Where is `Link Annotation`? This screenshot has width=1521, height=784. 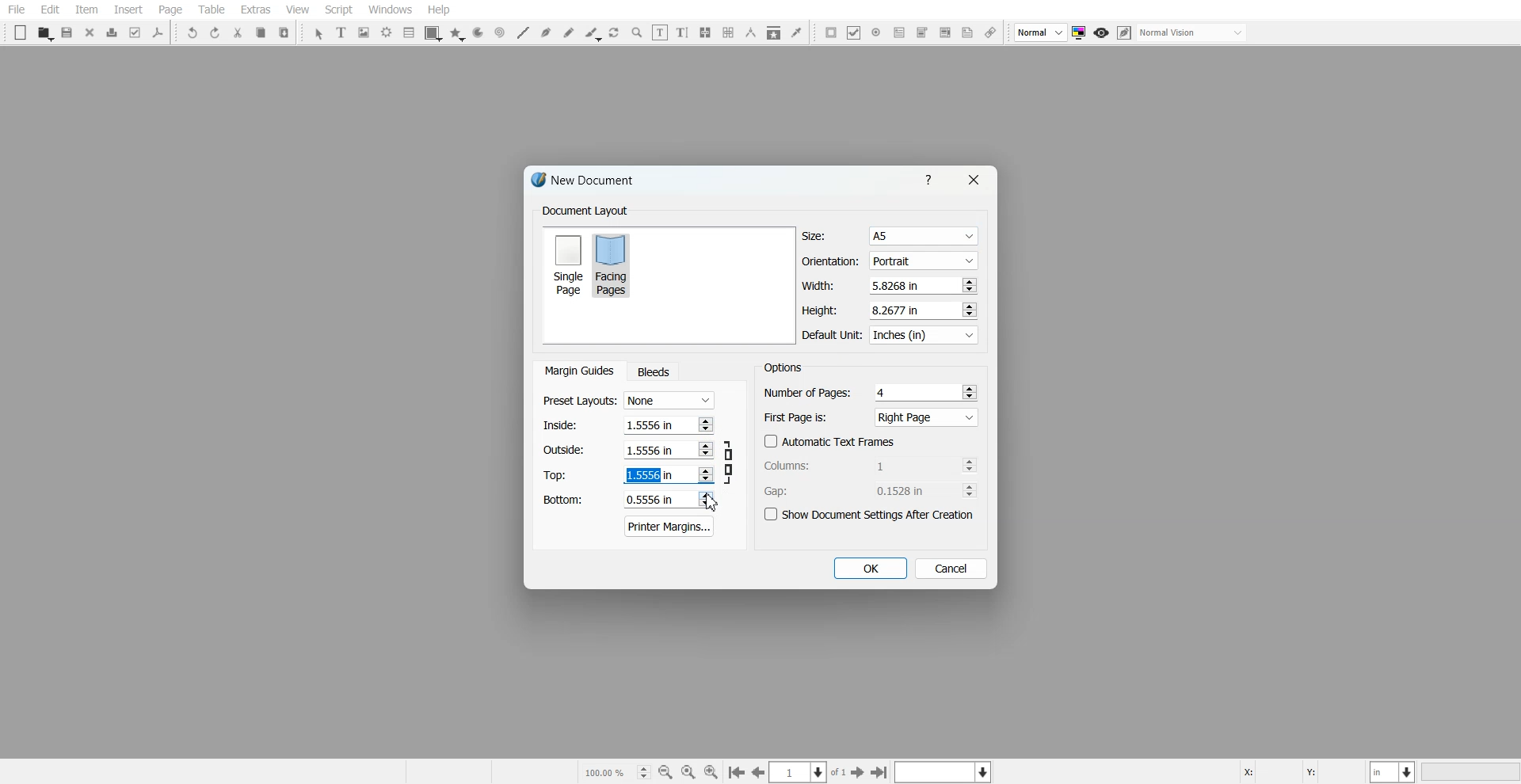
Link Annotation is located at coordinates (990, 33).